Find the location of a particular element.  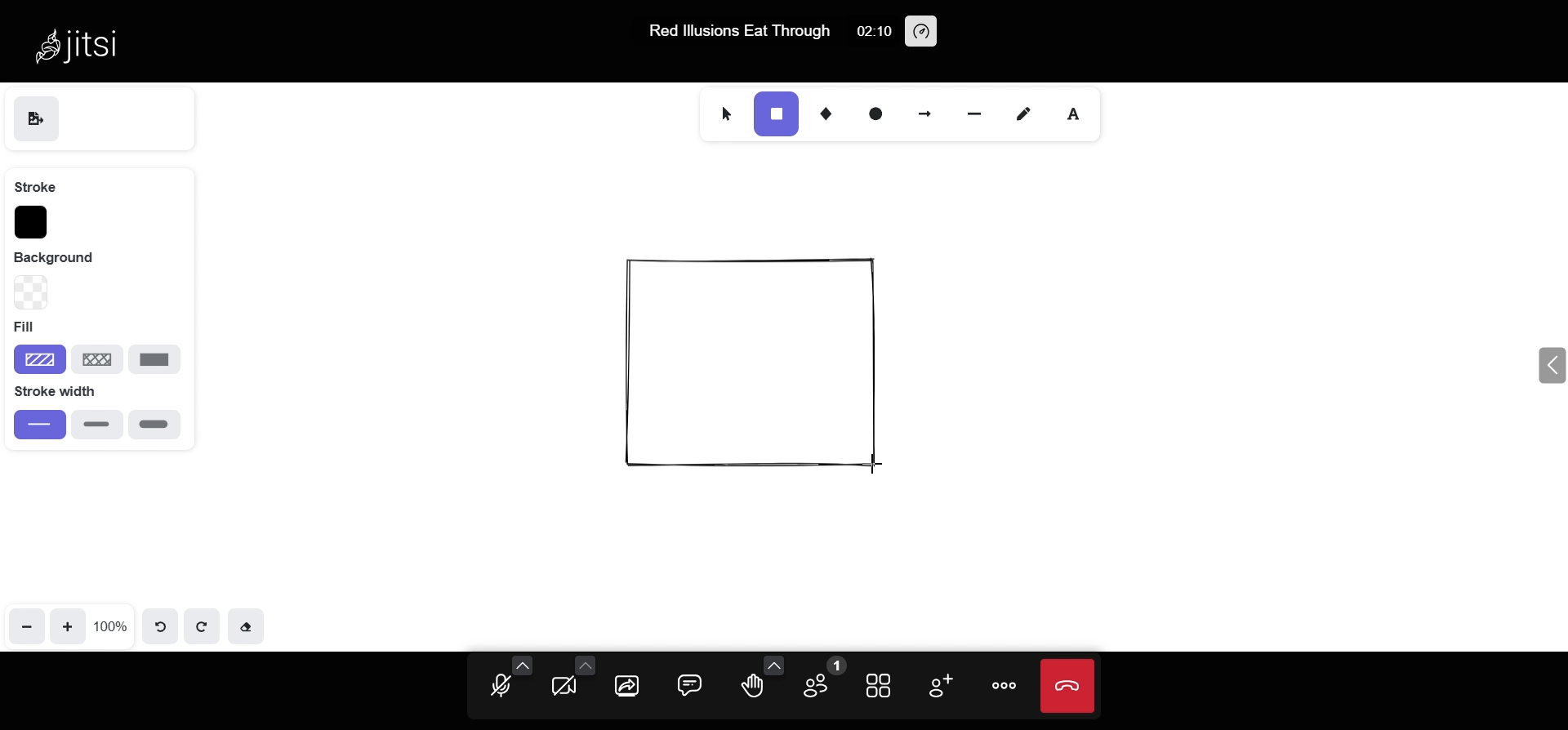

extra bold  is located at coordinates (154, 425).